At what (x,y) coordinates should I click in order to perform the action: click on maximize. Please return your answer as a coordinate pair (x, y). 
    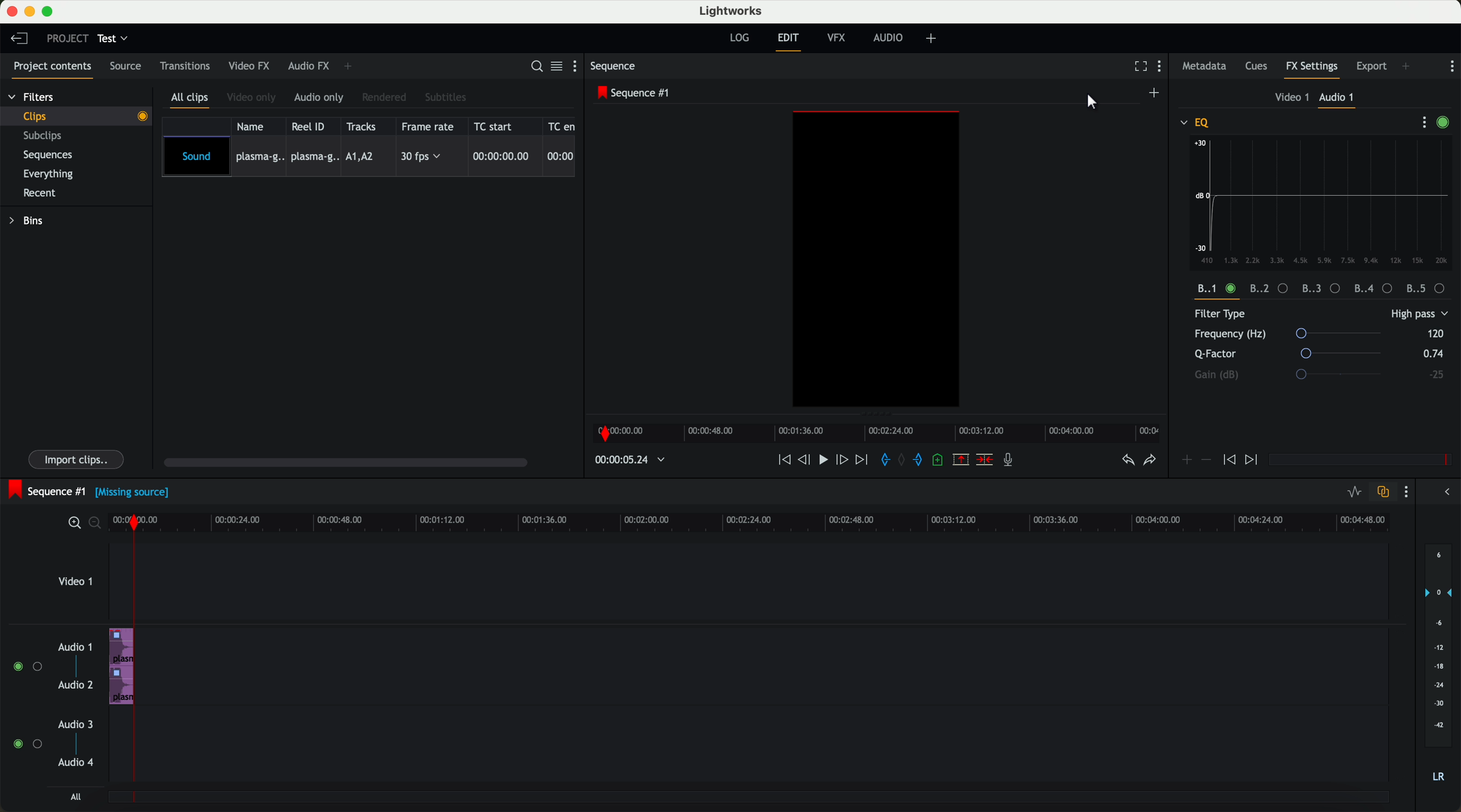
    Looking at the image, I should click on (50, 11).